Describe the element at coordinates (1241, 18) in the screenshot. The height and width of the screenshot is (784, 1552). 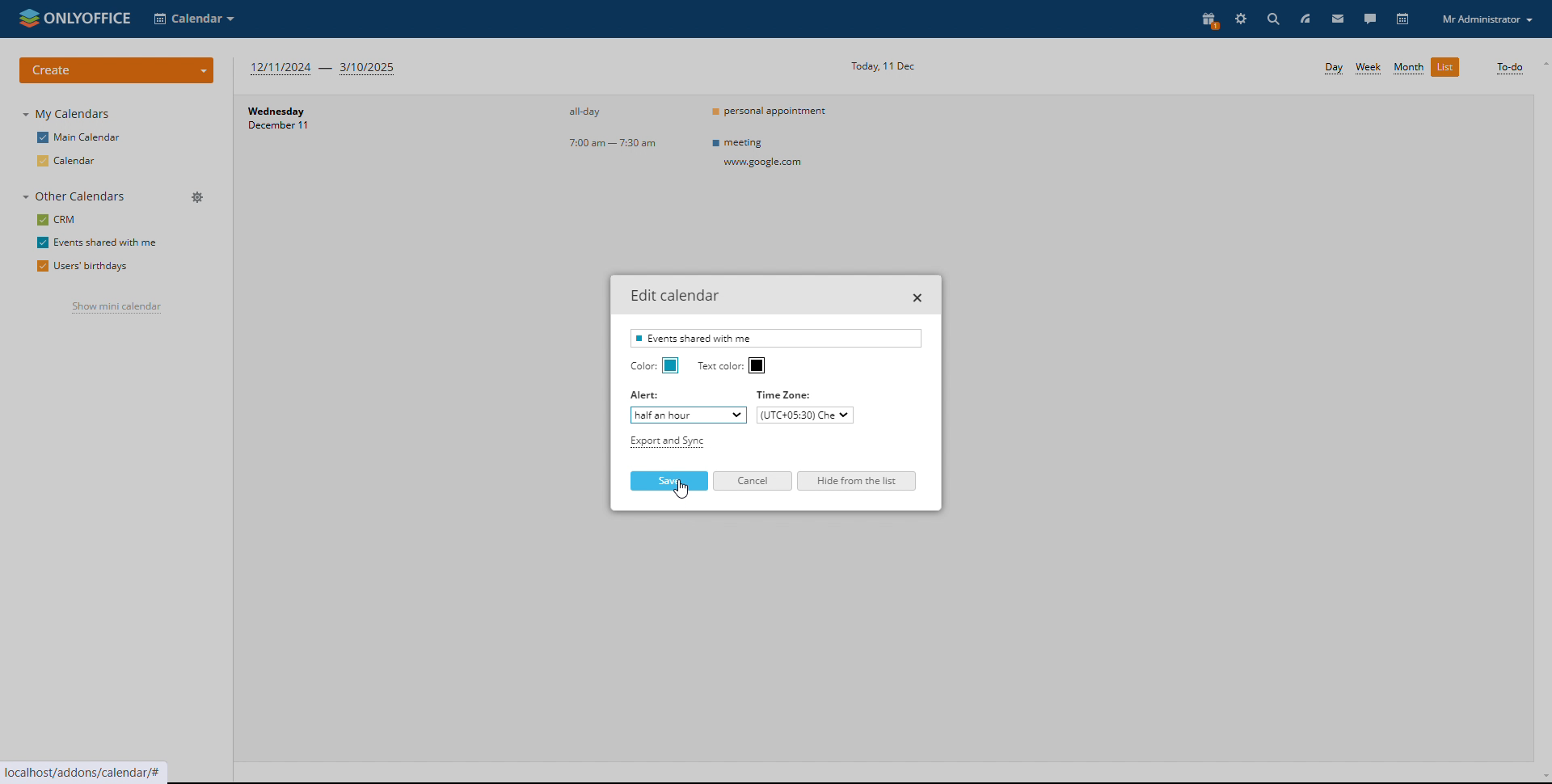
I see `settings` at that location.